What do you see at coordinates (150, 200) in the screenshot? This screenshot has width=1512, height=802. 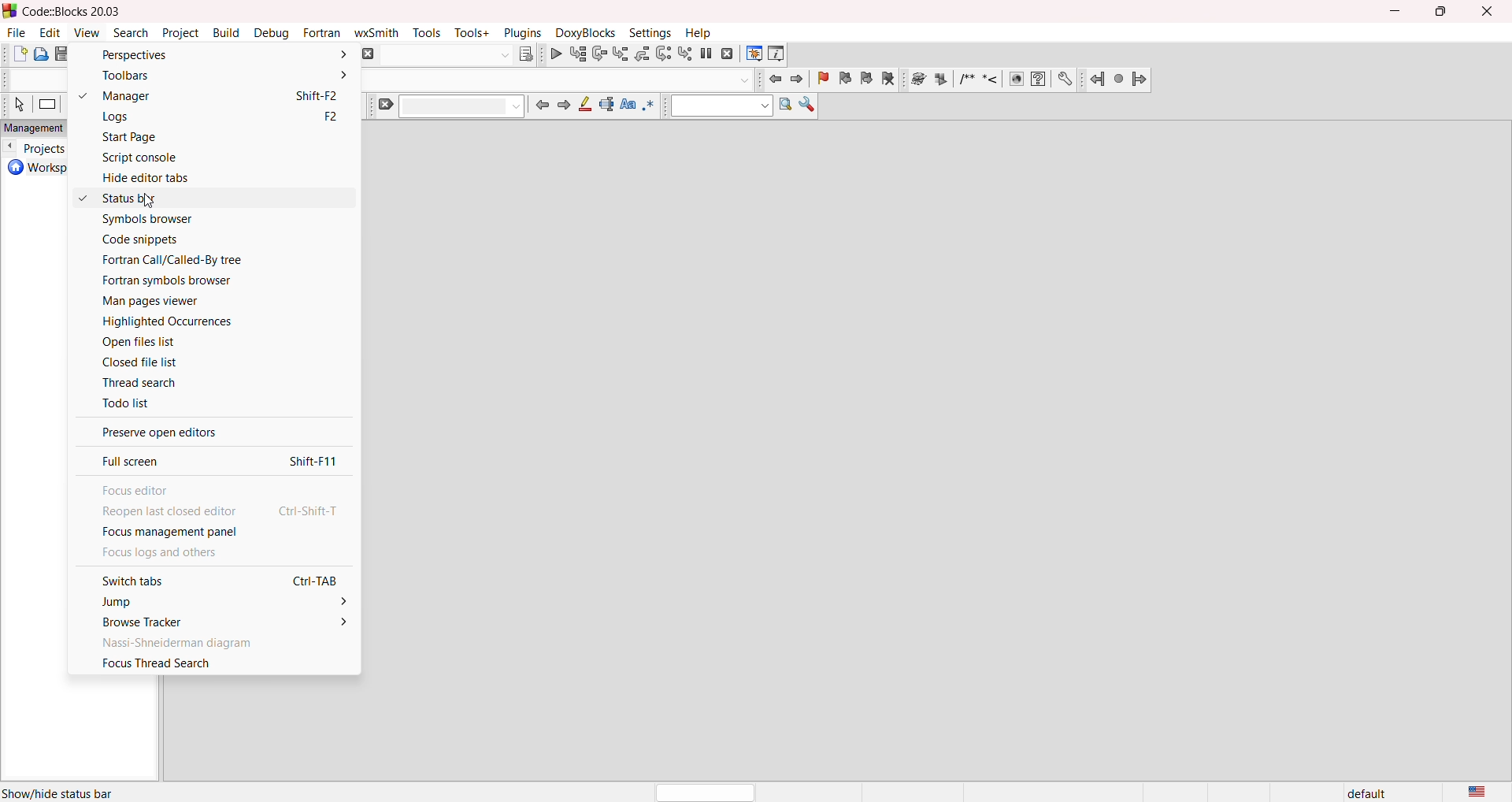 I see `Cursor` at bounding box center [150, 200].